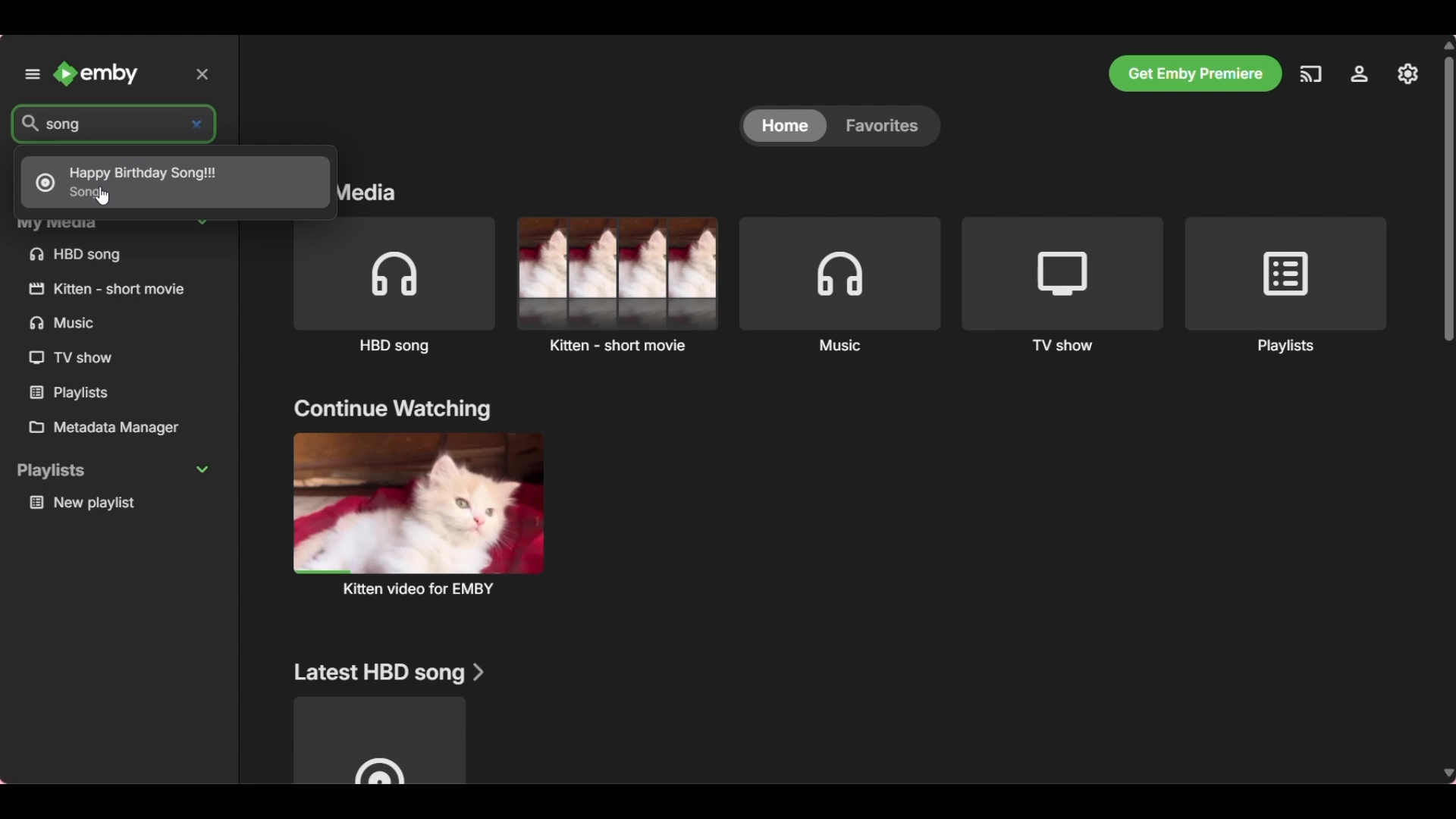 Image resolution: width=1456 pixels, height=819 pixels. I want to click on Favorites, so click(886, 125).